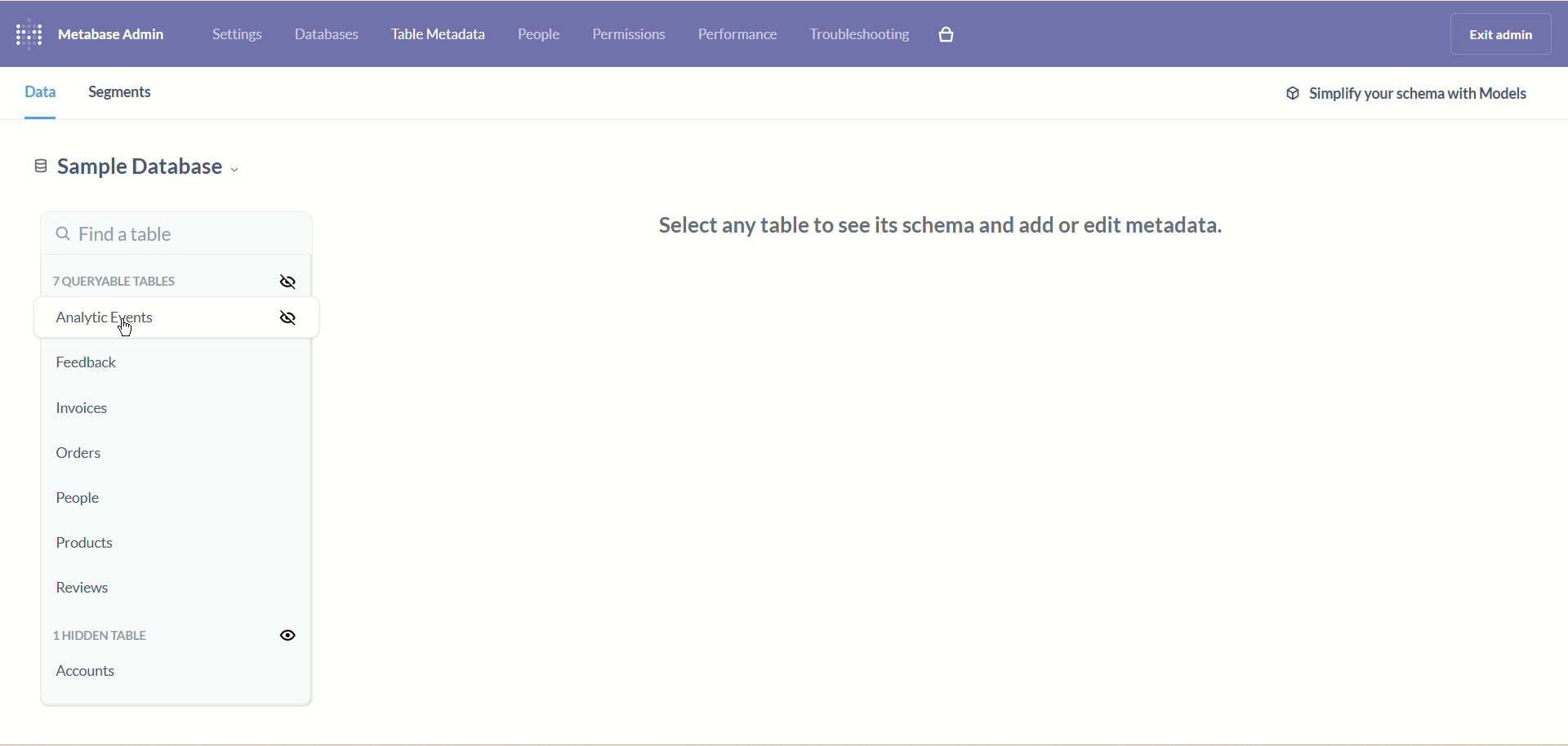  I want to click on 7 queryable tables, so click(111, 280).